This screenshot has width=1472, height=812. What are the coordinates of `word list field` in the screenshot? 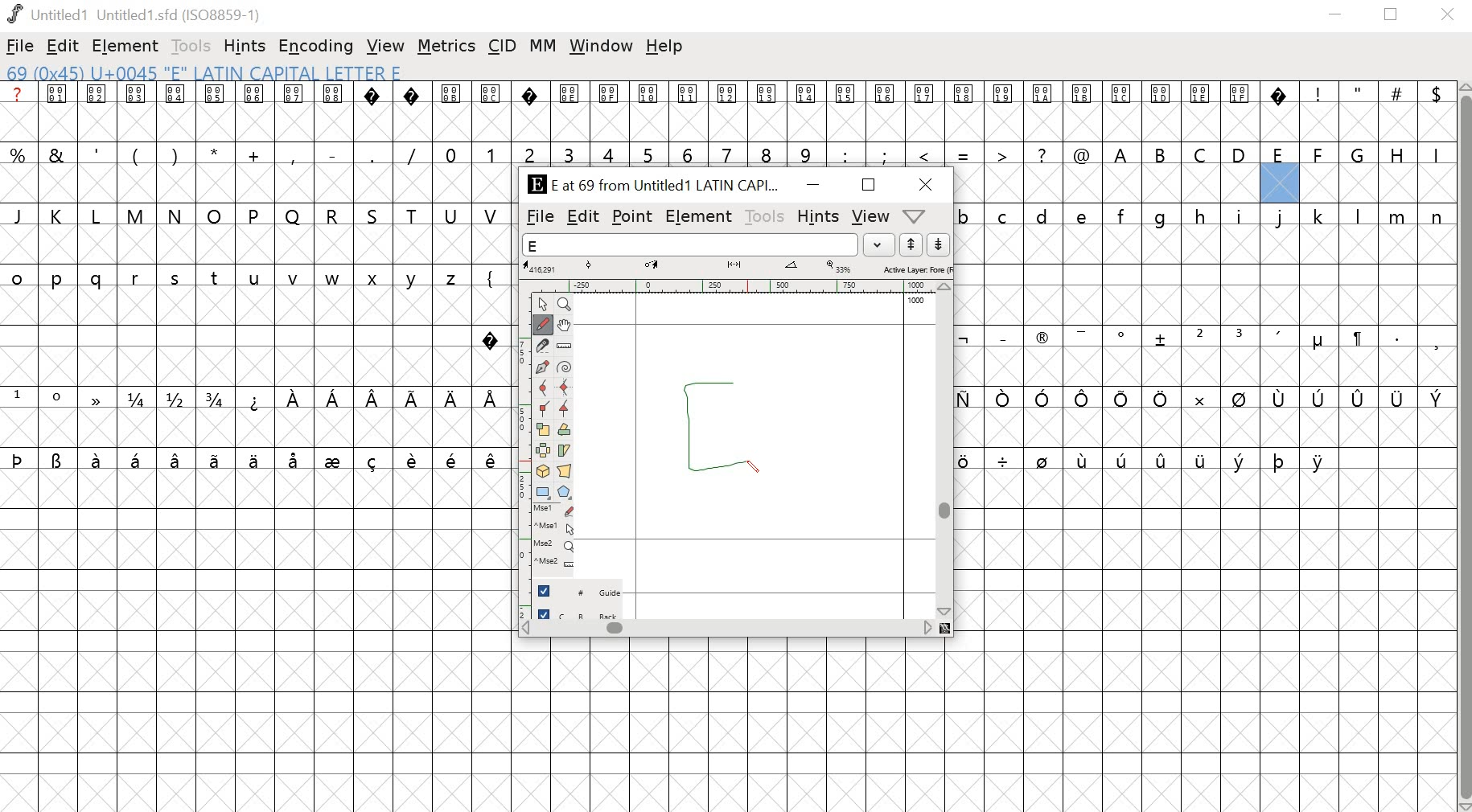 It's located at (690, 244).